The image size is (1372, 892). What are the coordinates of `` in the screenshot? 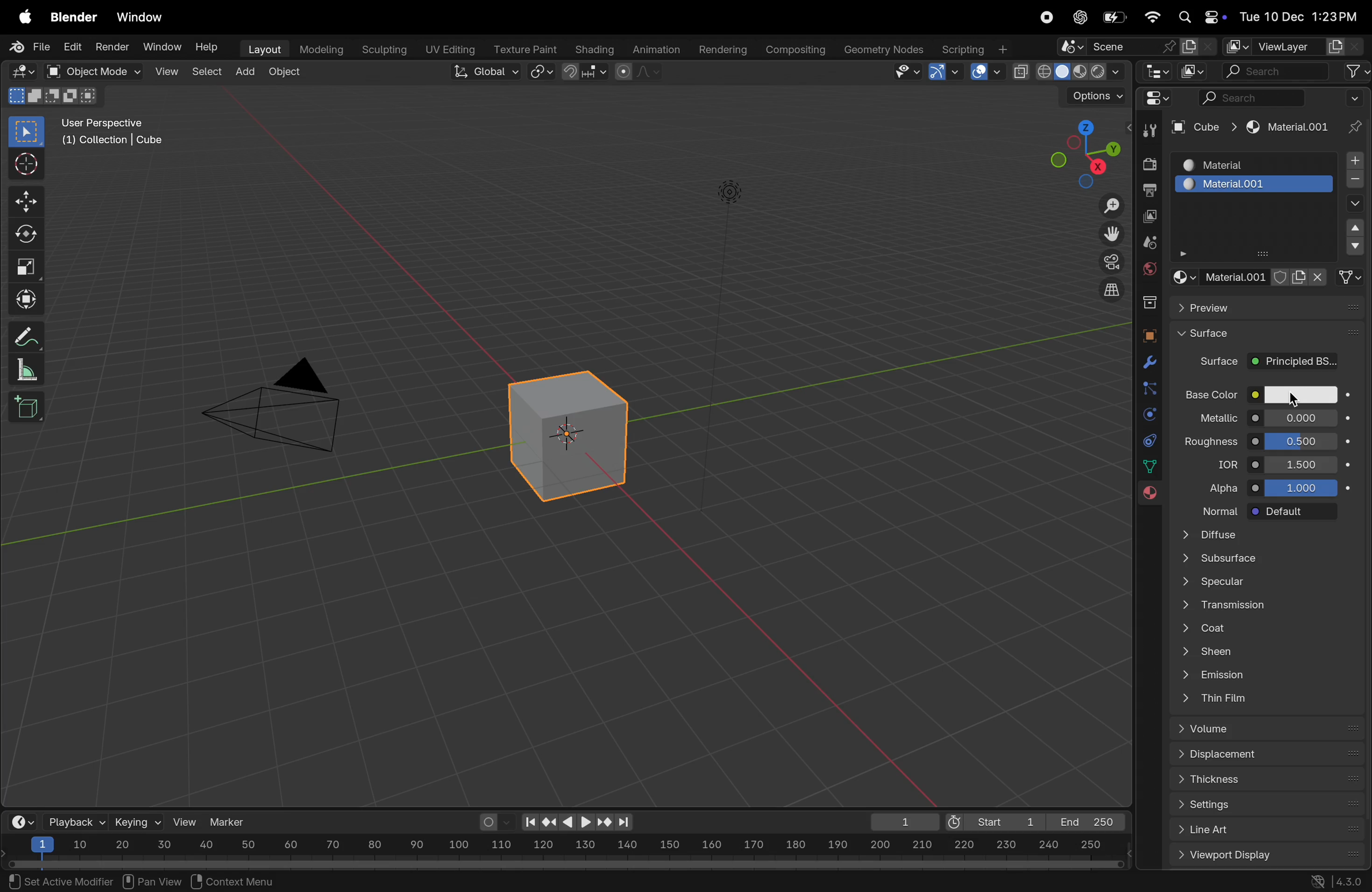 It's located at (1151, 467).